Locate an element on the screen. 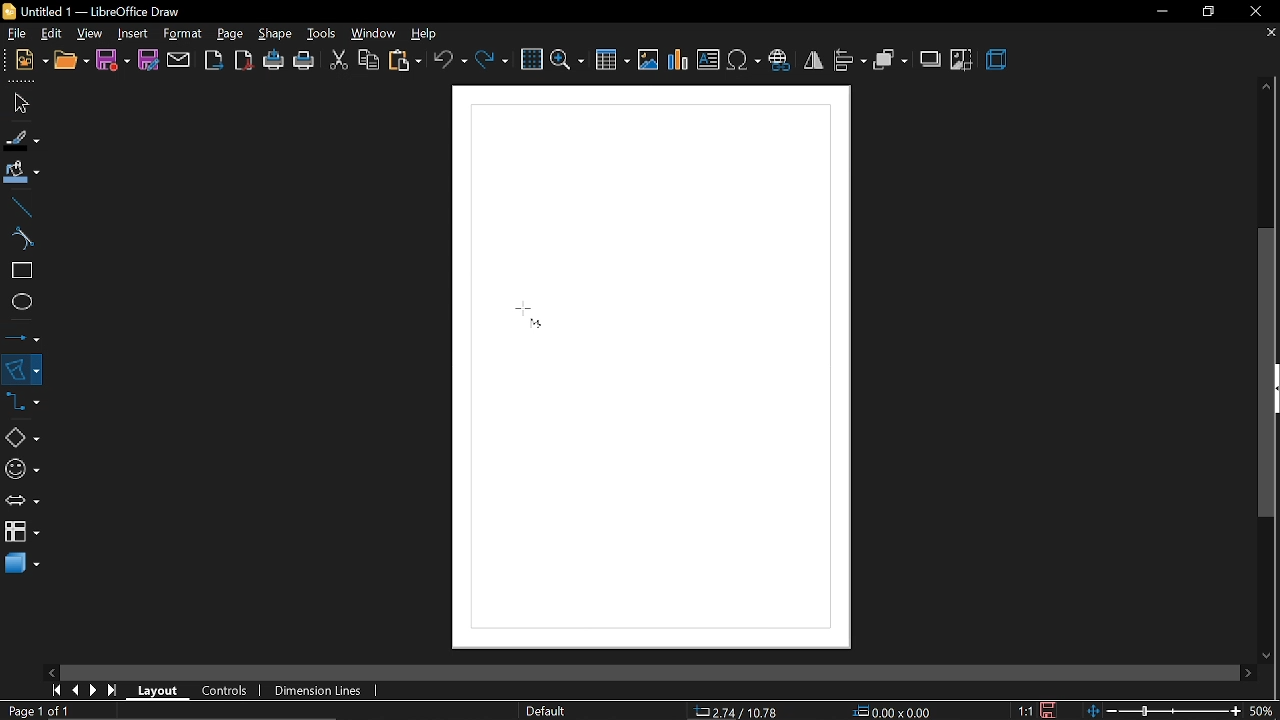 This screenshot has width=1280, height=720. symbol shapes is located at coordinates (21, 469).